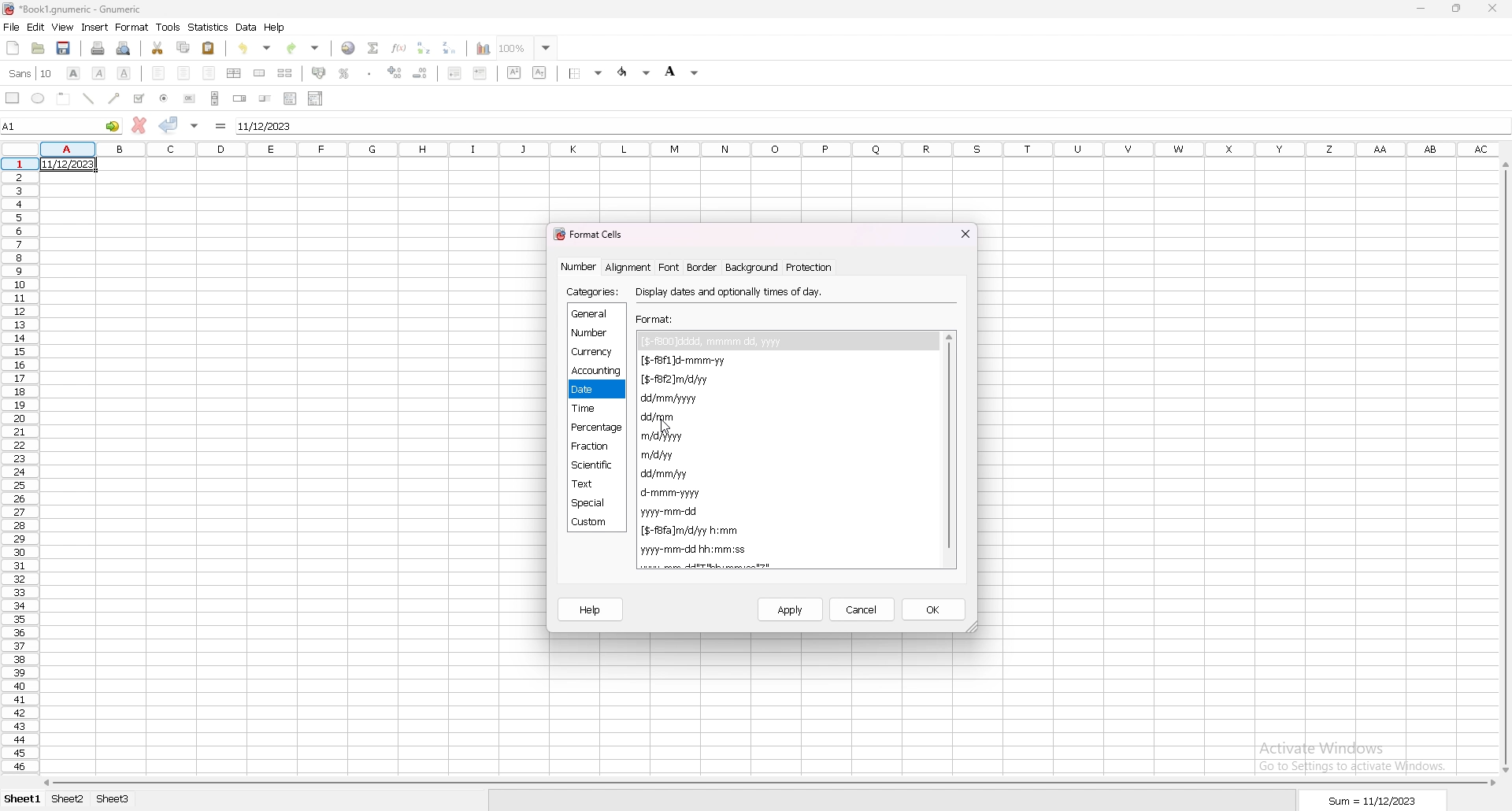  Describe the element at coordinates (673, 492) in the screenshot. I see `d-mmm-yyyy` at that location.